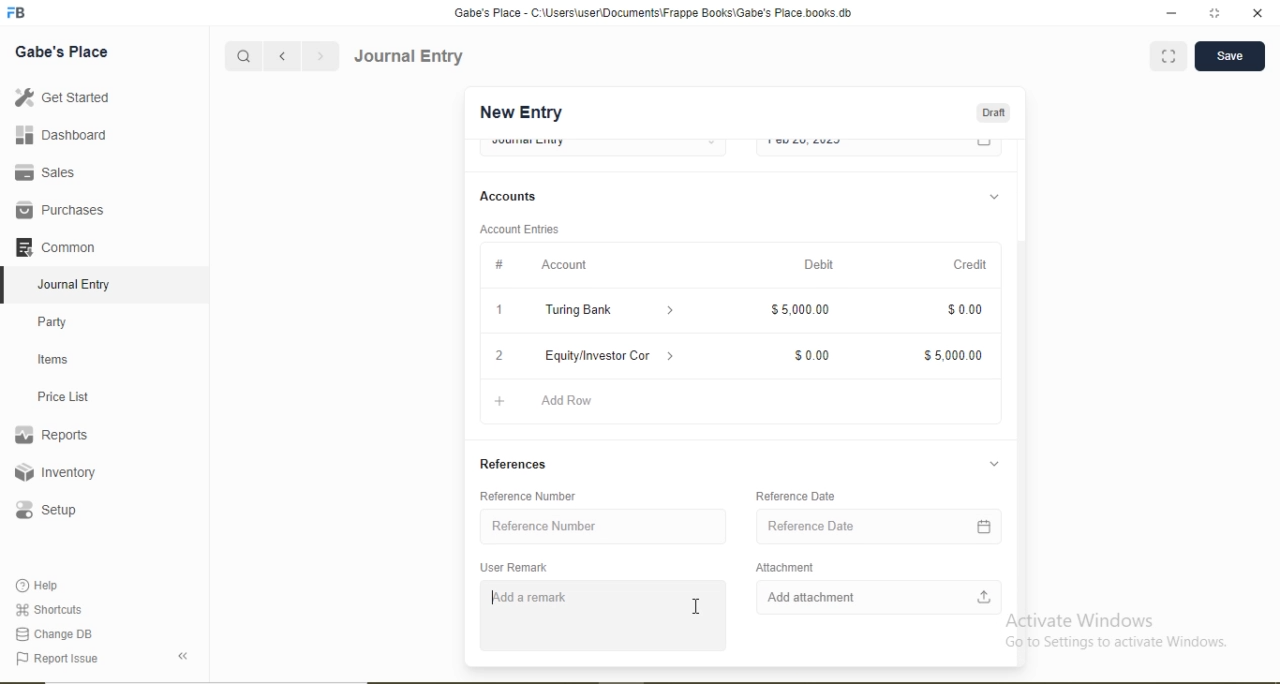 This screenshot has width=1280, height=684. I want to click on Reports, so click(51, 435).